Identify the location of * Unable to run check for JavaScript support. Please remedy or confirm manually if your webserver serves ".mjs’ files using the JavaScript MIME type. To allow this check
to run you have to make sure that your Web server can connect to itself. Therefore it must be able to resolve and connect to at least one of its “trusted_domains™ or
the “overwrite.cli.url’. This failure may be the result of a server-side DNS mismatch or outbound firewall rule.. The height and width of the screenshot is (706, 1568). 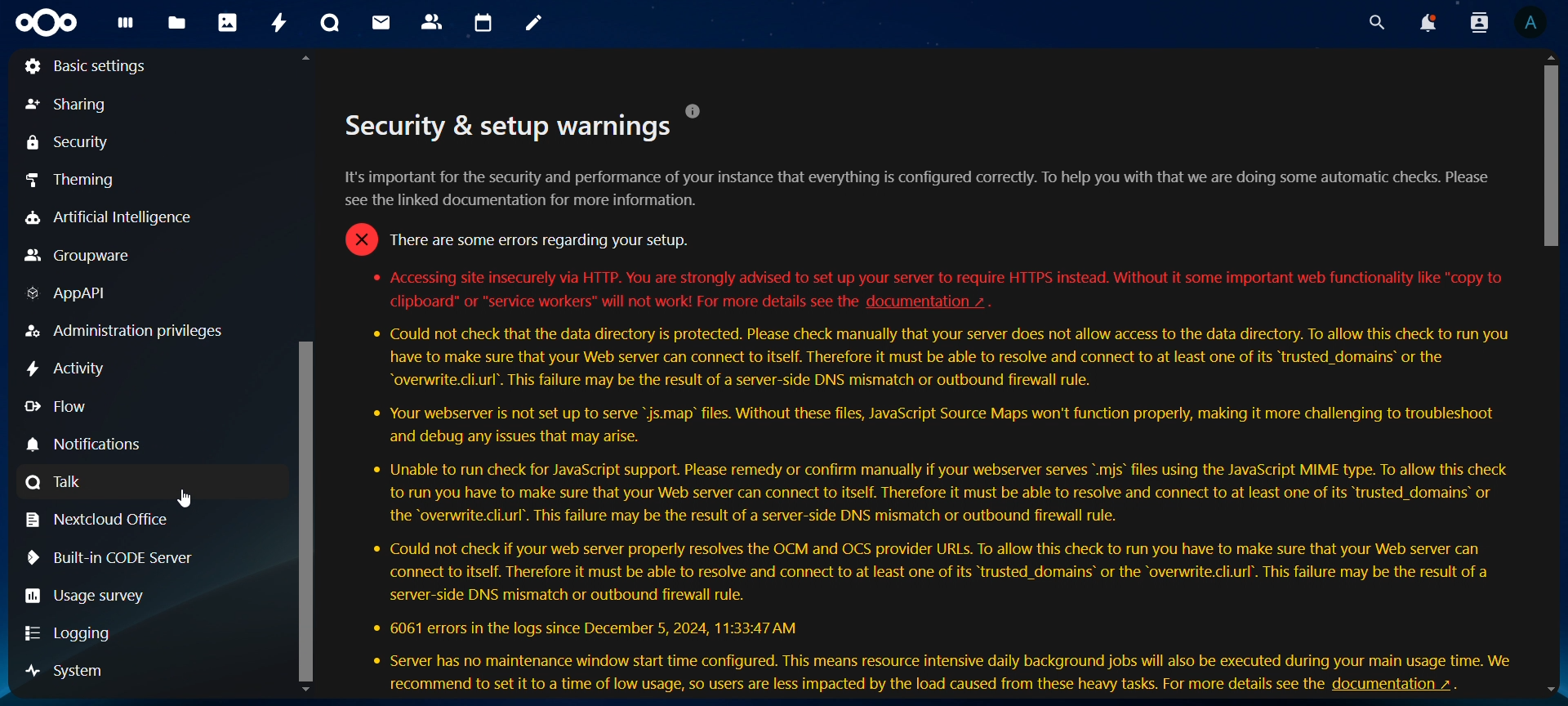
(945, 494).